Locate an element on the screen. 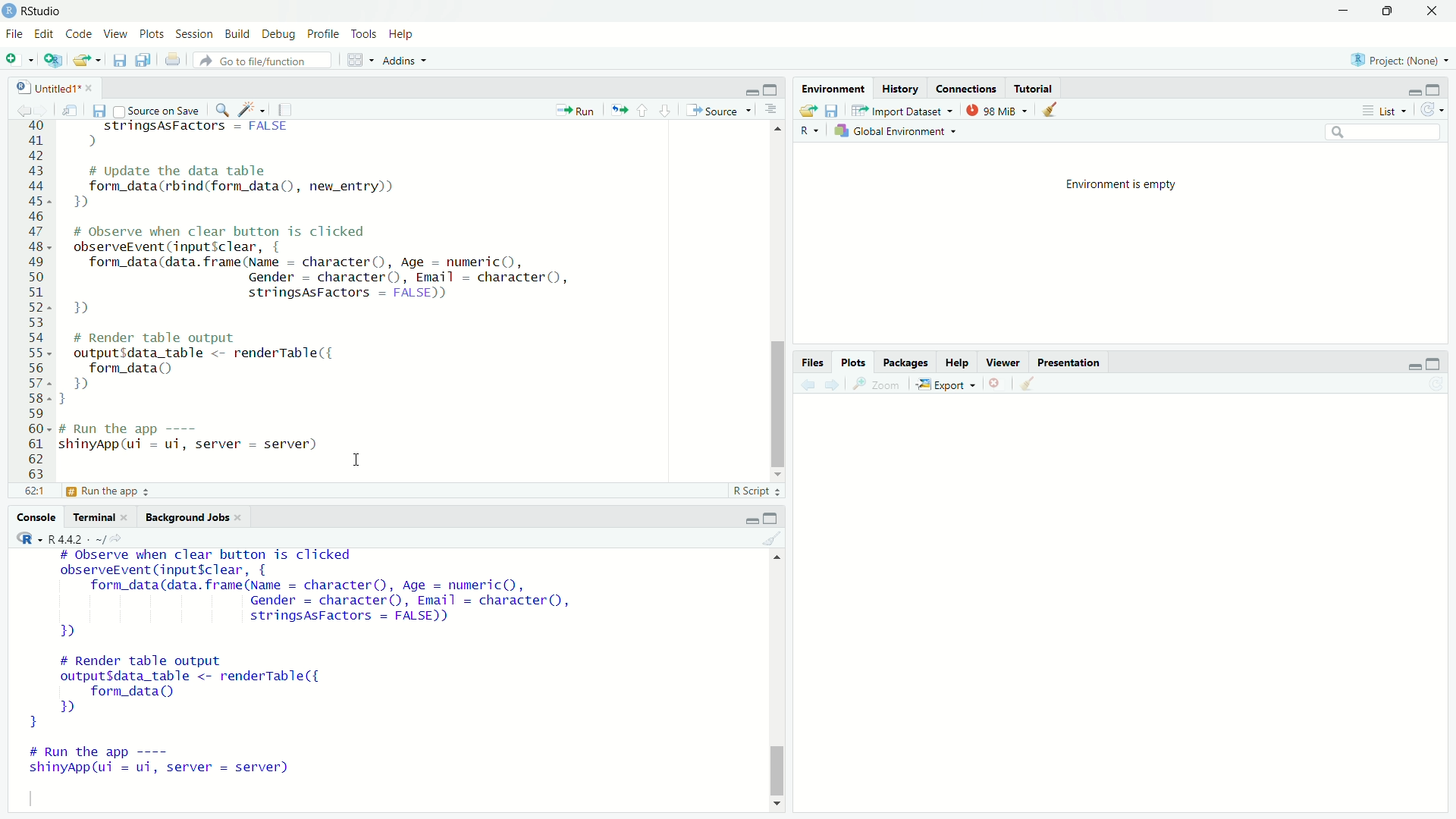 The height and width of the screenshot is (819, 1456). connections is located at coordinates (962, 88).